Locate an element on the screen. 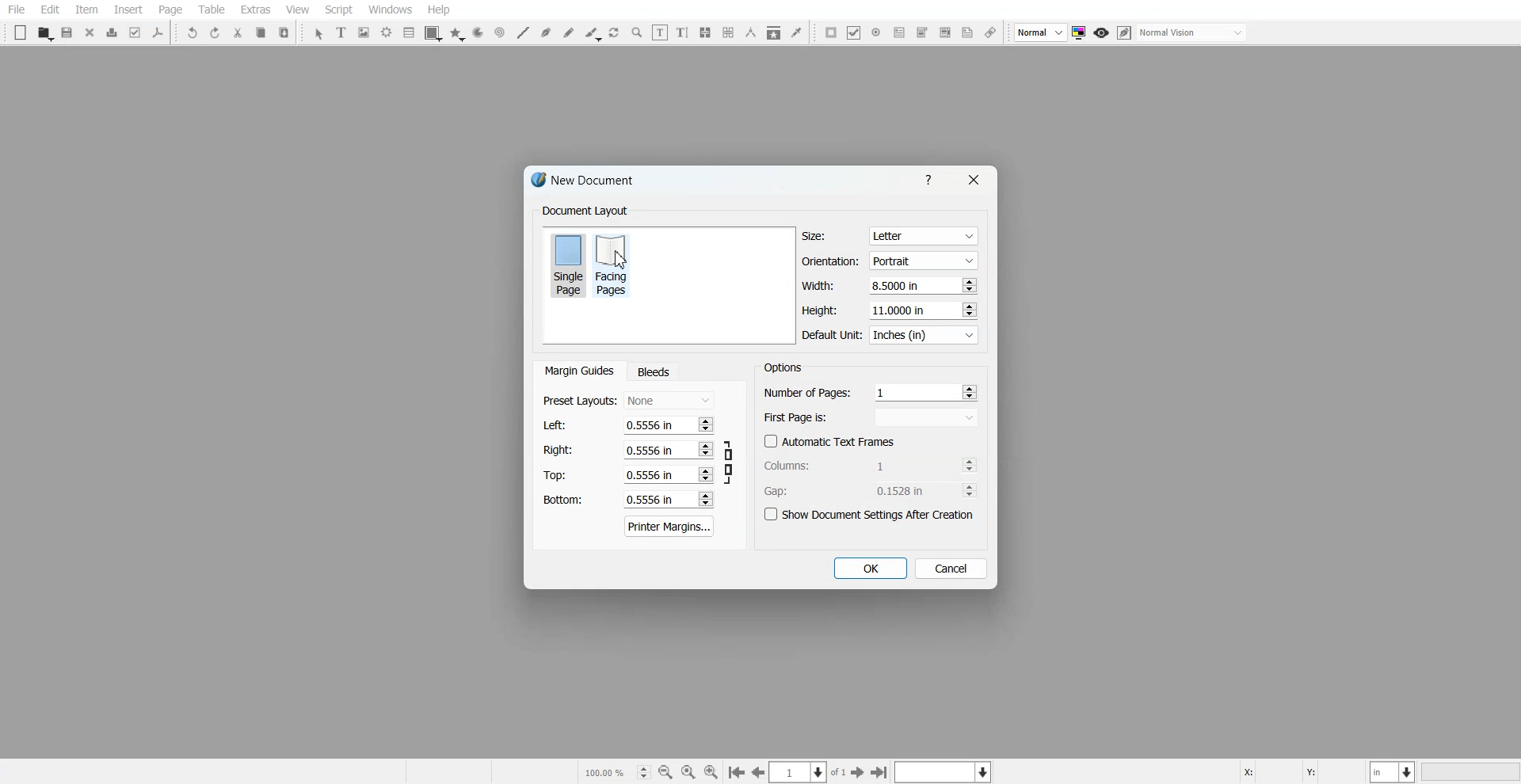  Increase and decrease No.  is located at coordinates (968, 285).